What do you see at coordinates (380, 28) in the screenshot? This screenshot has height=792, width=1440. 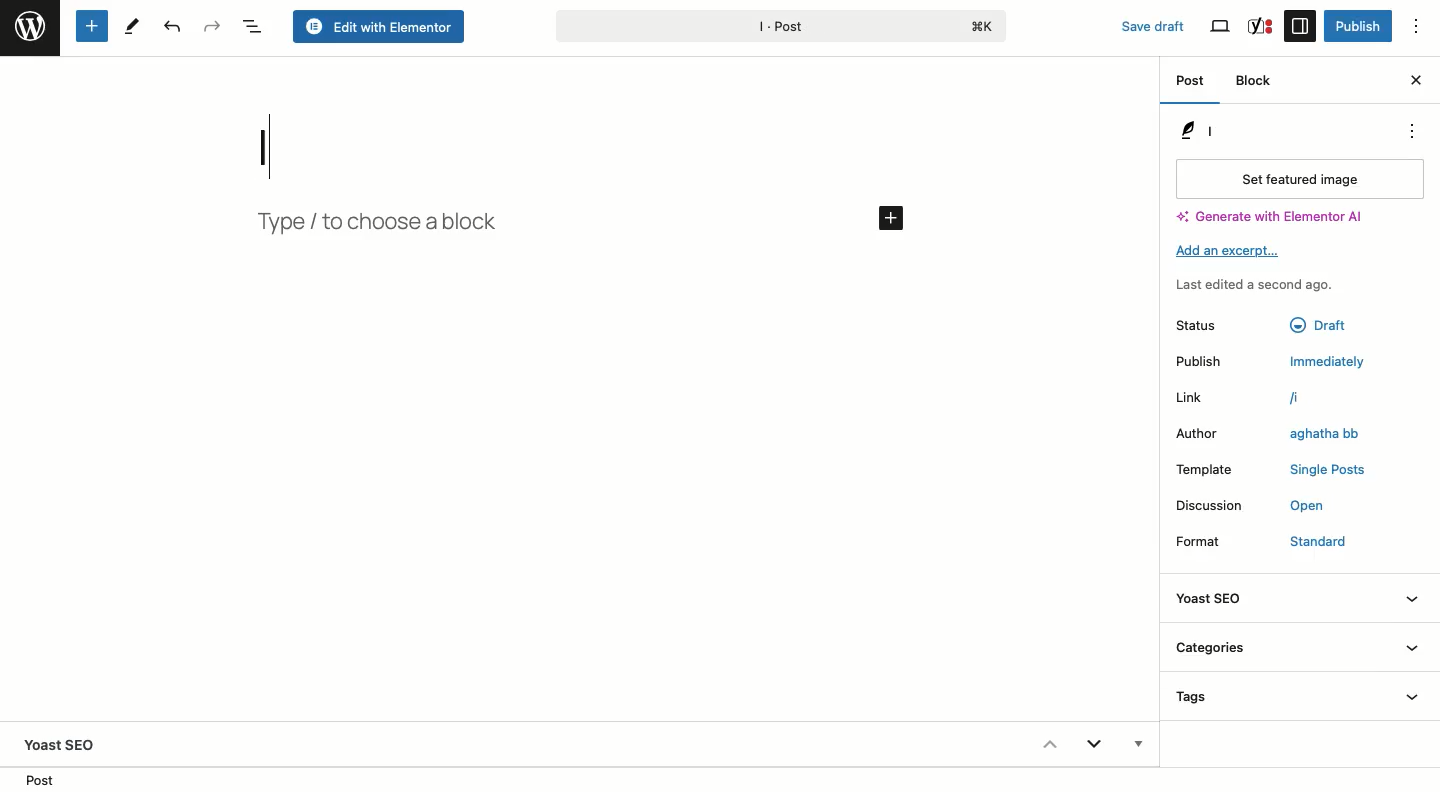 I see `Edit with Elementor` at bounding box center [380, 28].